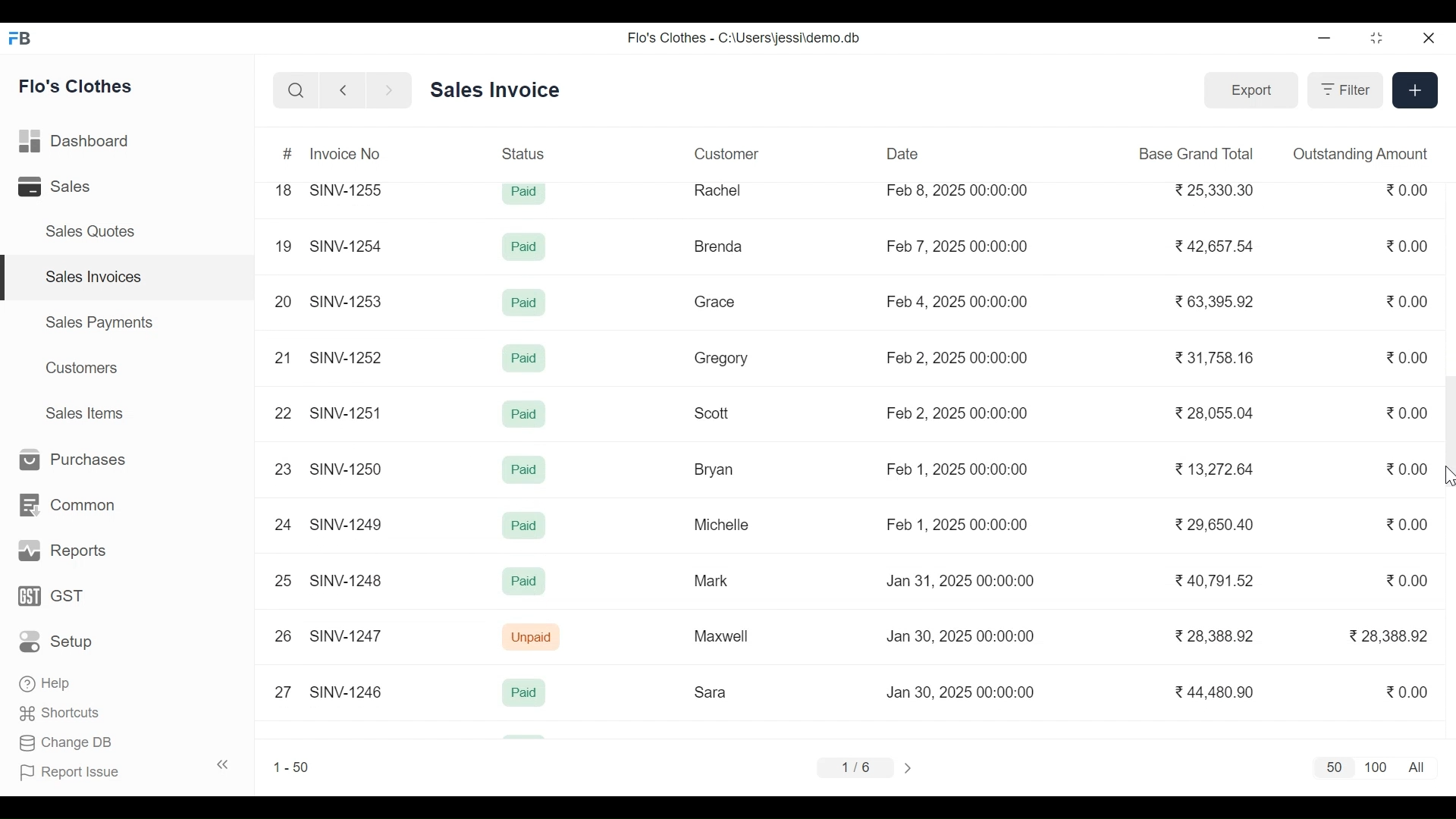 This screenshot has width=1456, height=819. Describe the element at coordinates (525, 415) in the screenshot. I see `Paid` at that location.